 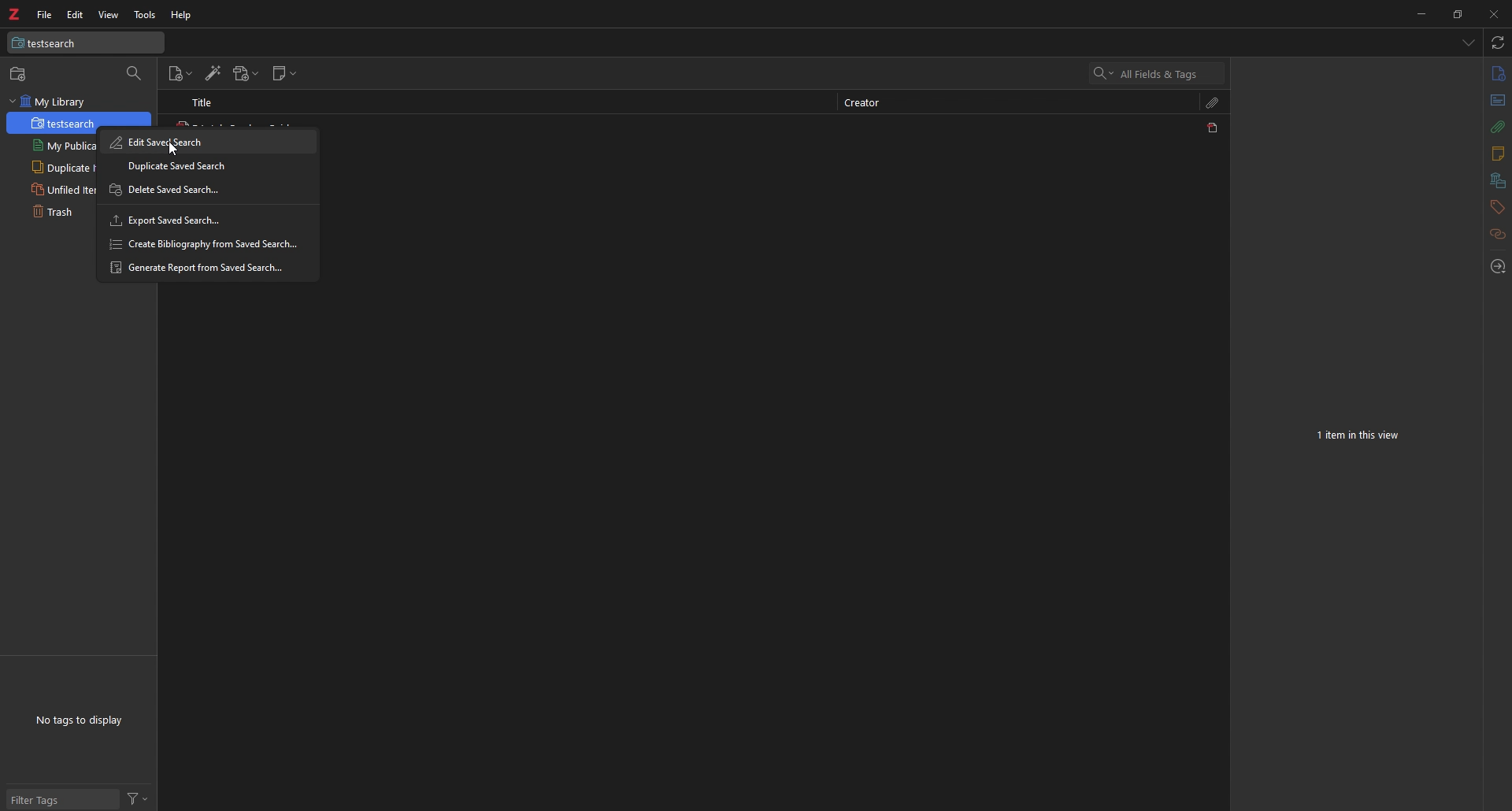 What do you see at coordinates (1214, 128) in the screenshot?
I see `pdf` at bounding box center [1214, 128].